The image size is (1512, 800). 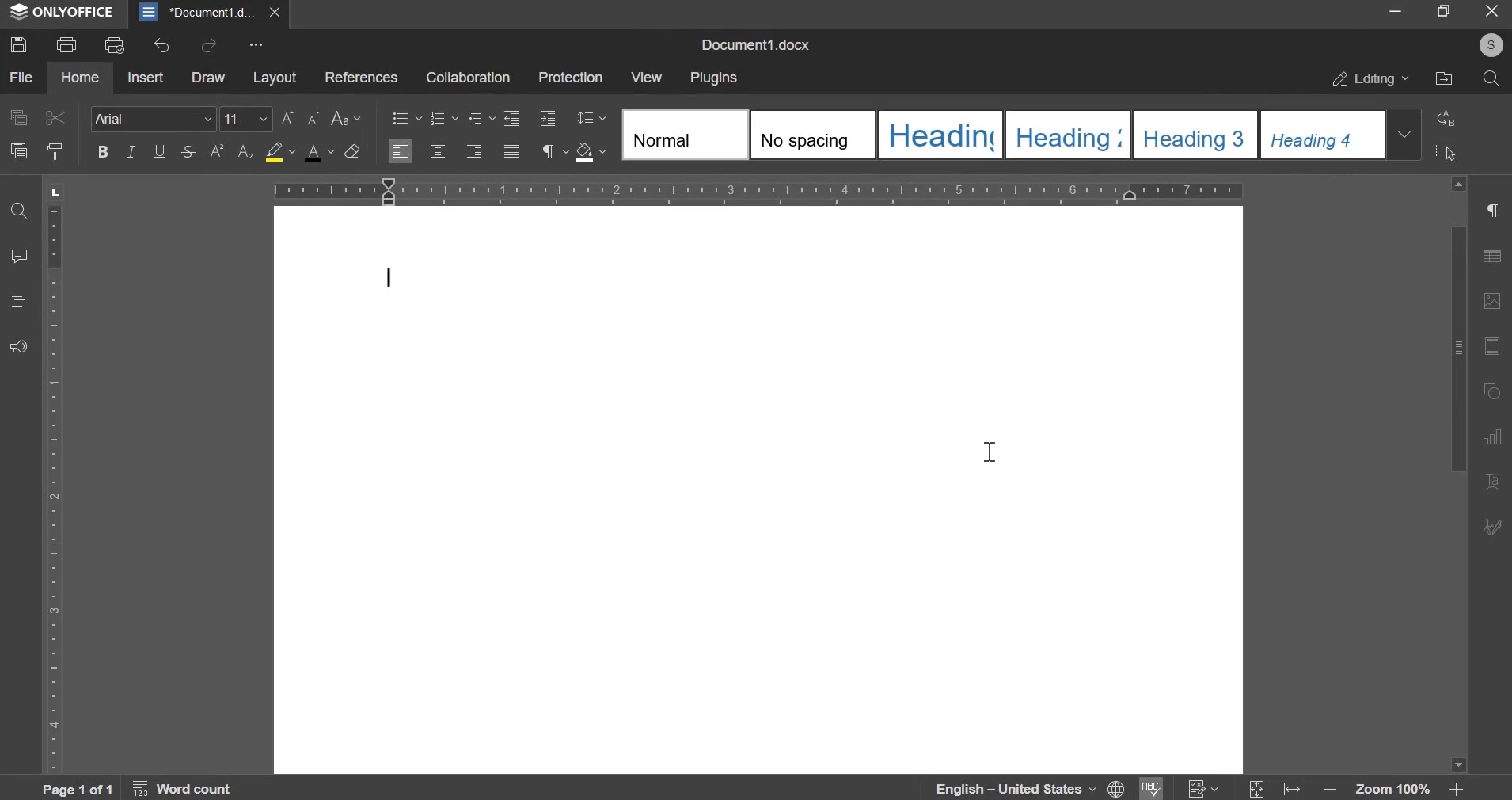 What do you see at coordinates (19, 348) in the screenshot?
I see `volume` at bounding box center [19, 348].